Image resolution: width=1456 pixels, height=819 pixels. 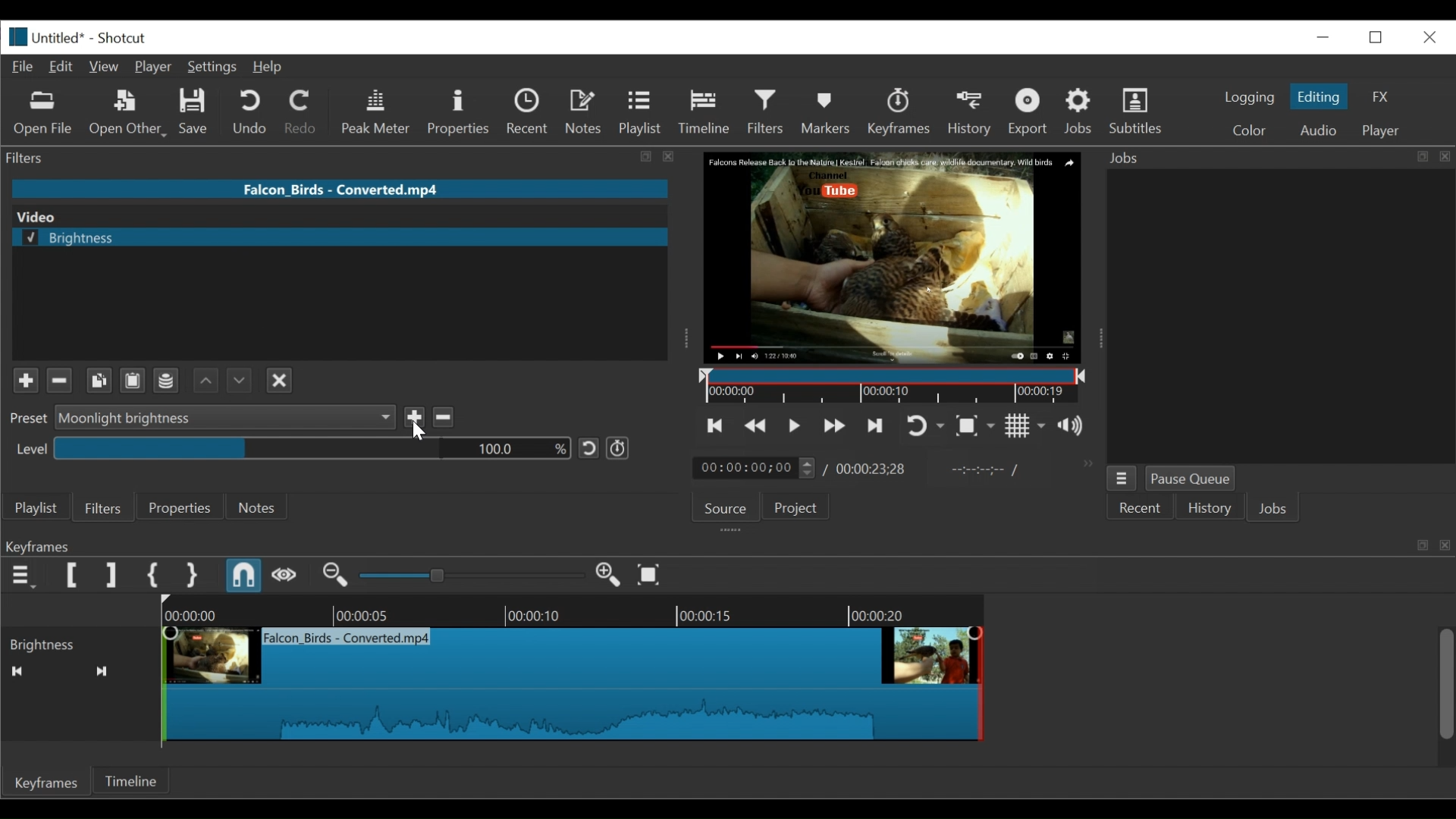 I want to click on Player, so click(x=1382, y=130).